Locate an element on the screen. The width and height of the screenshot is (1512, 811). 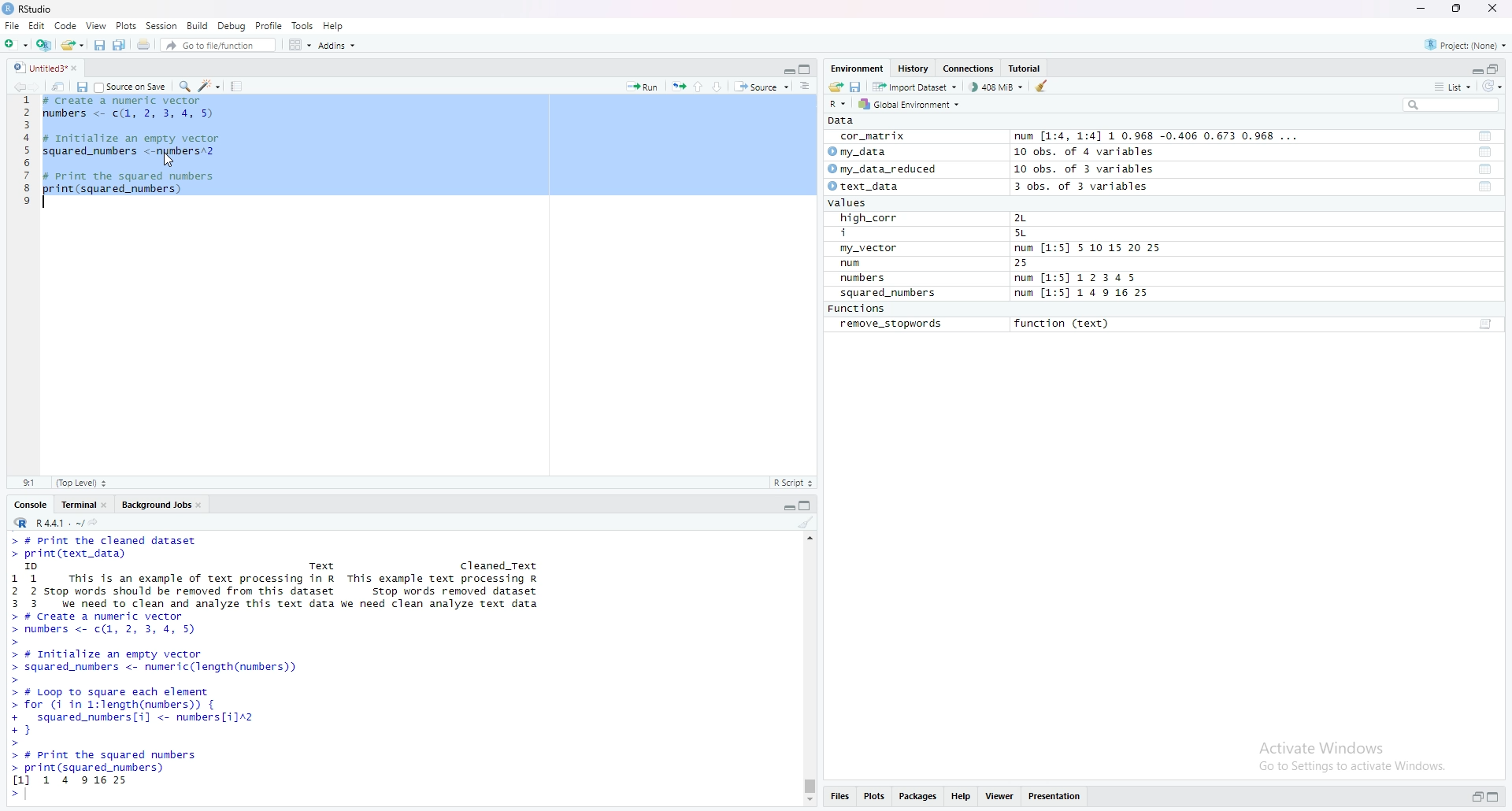
(Top Level) is located at coordinates (81, 483).